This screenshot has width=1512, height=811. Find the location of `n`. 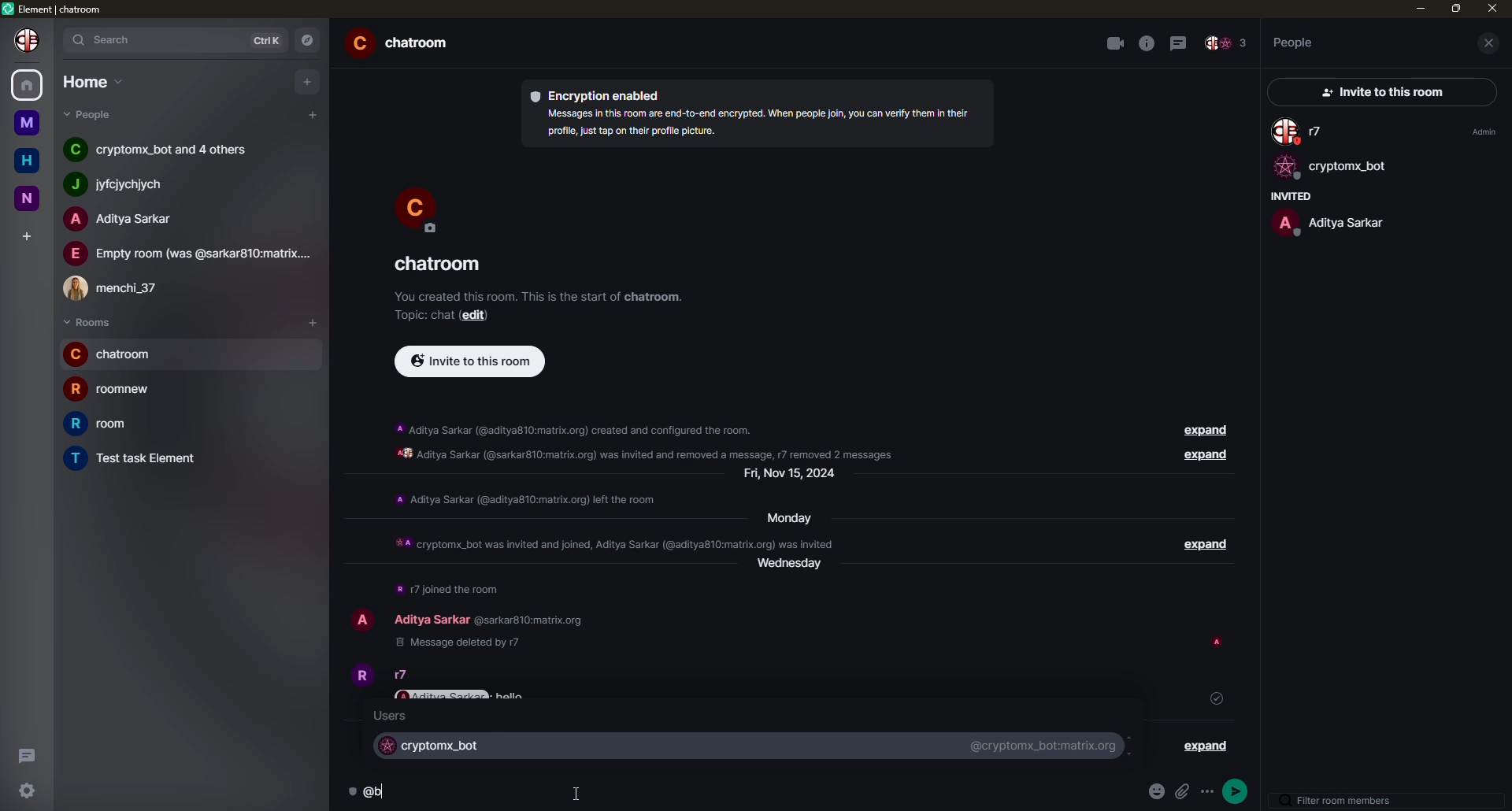

n is located at coordinates (33, 197).